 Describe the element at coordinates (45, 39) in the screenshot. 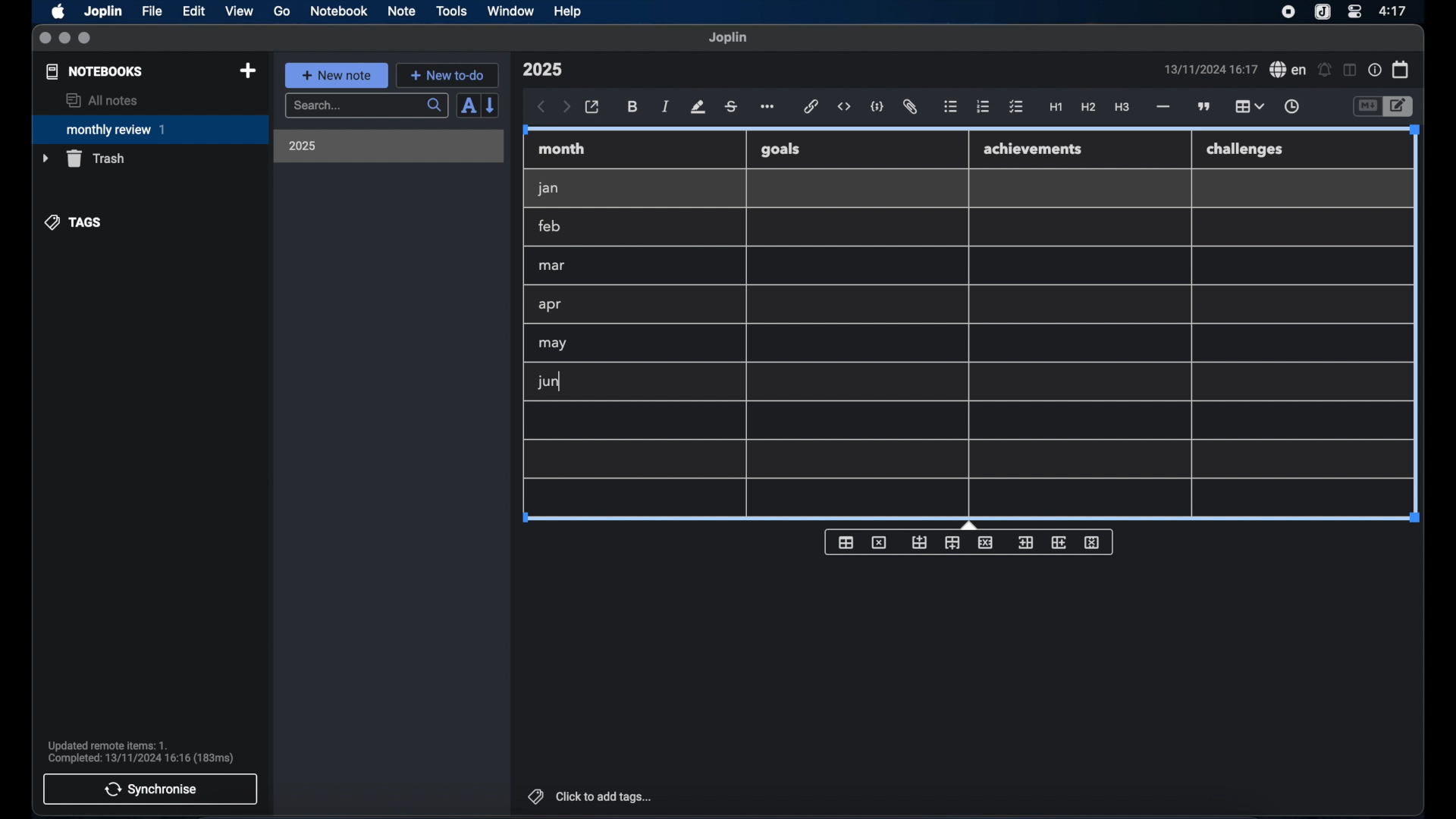

I see `close` at that location.